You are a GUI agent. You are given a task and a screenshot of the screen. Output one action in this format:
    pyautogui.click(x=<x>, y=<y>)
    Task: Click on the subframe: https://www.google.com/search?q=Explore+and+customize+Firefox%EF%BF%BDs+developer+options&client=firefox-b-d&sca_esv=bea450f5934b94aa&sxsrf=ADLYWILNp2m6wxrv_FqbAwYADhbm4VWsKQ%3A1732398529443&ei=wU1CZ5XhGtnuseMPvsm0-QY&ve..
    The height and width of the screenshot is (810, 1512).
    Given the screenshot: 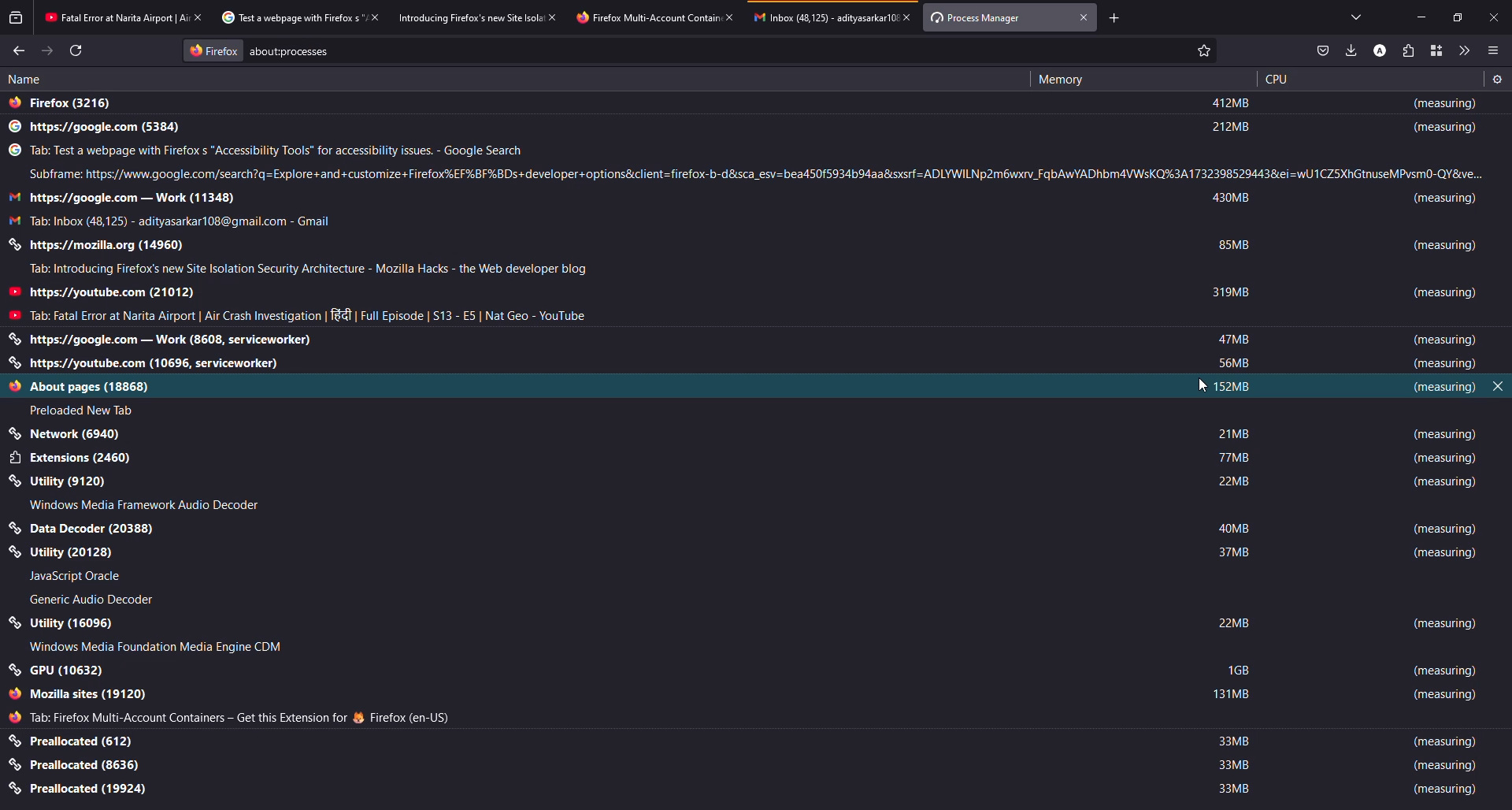 What is the action you would take?
    pyautogui.click(x=750, y=174)
    